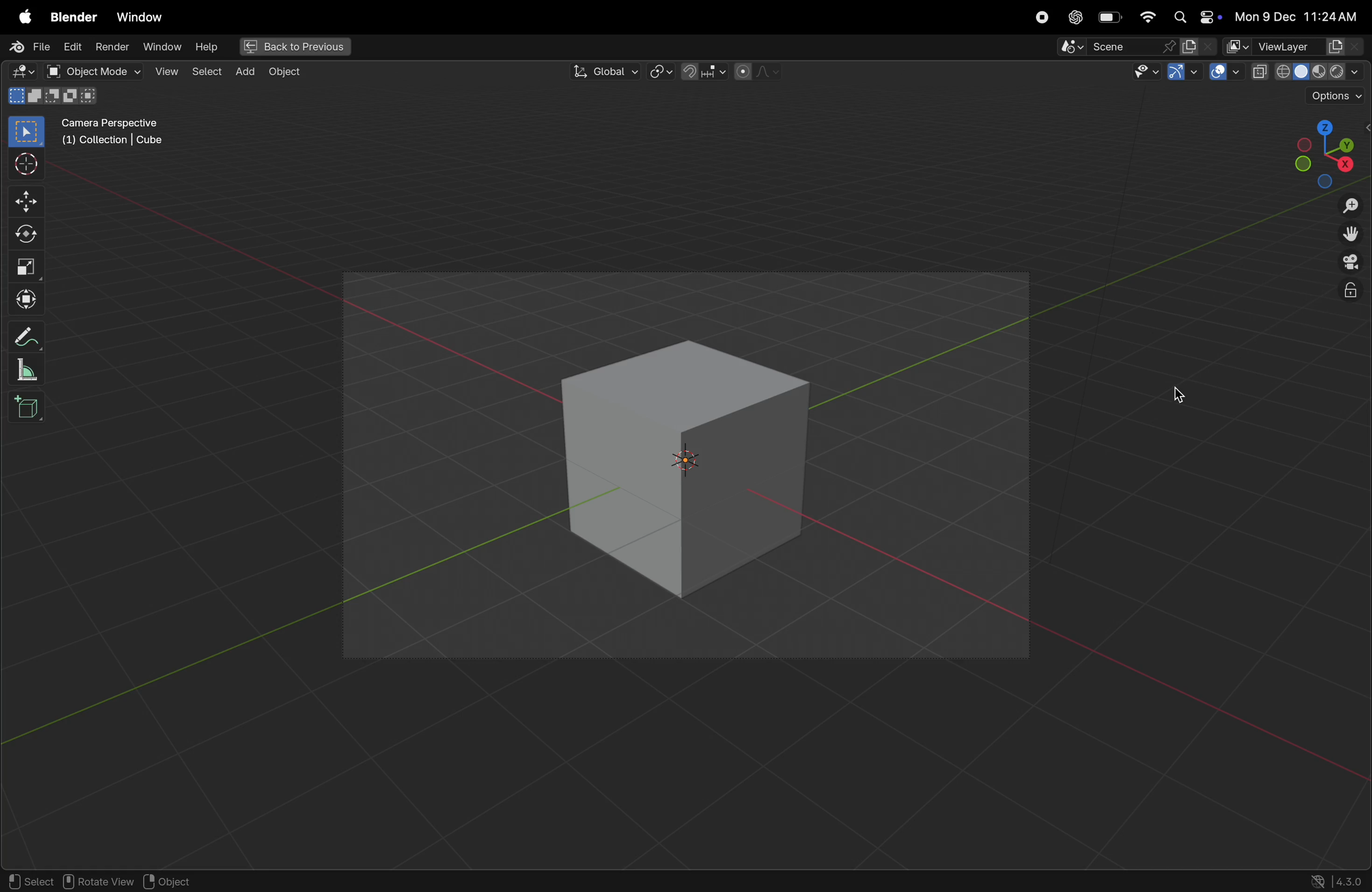 The height and width of the screenshot is (892, 1372). I want to click on Window, so click(146, 14).